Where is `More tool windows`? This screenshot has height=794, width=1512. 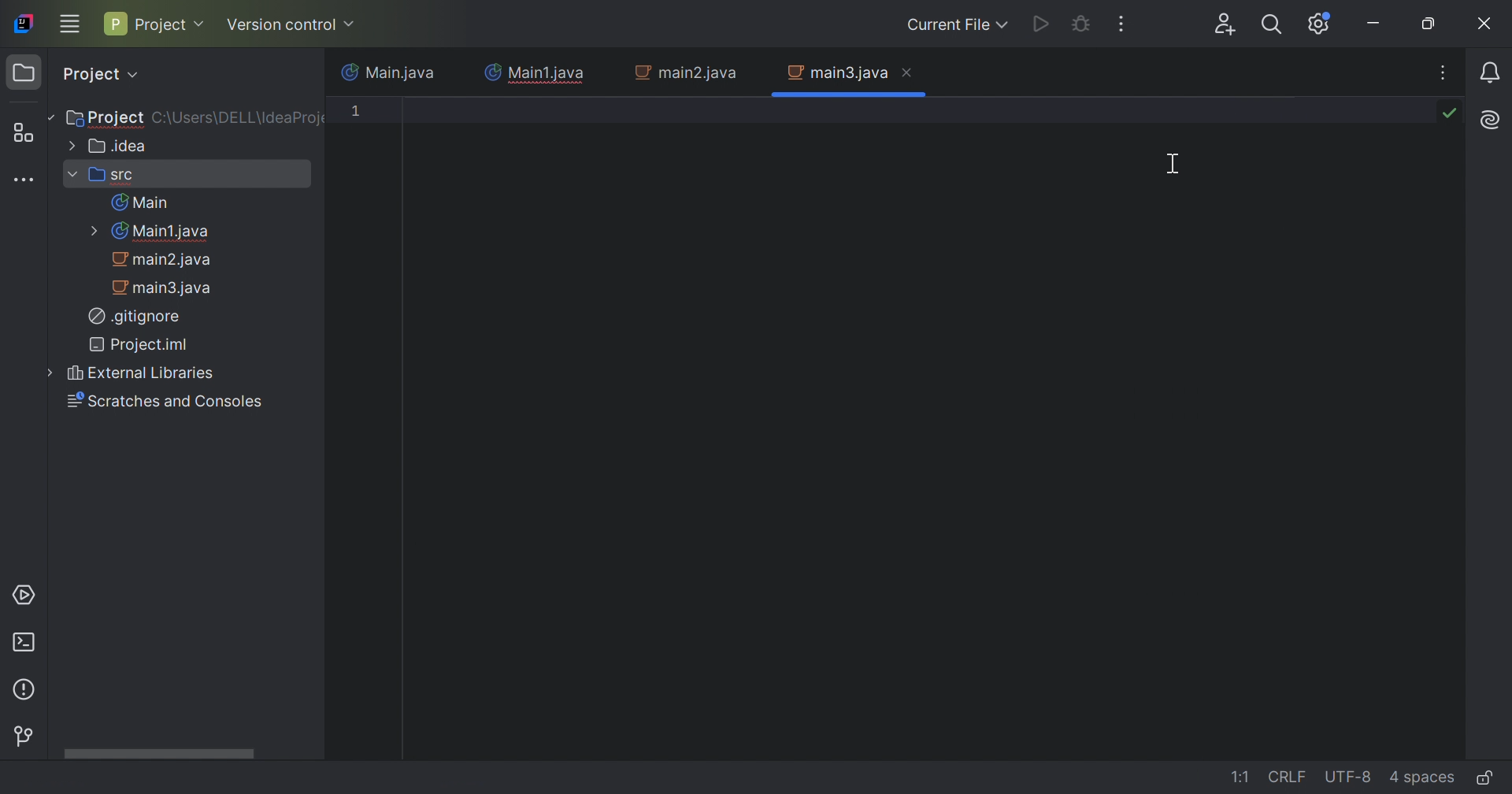
More tool windows is located at coordinates (24, 178).